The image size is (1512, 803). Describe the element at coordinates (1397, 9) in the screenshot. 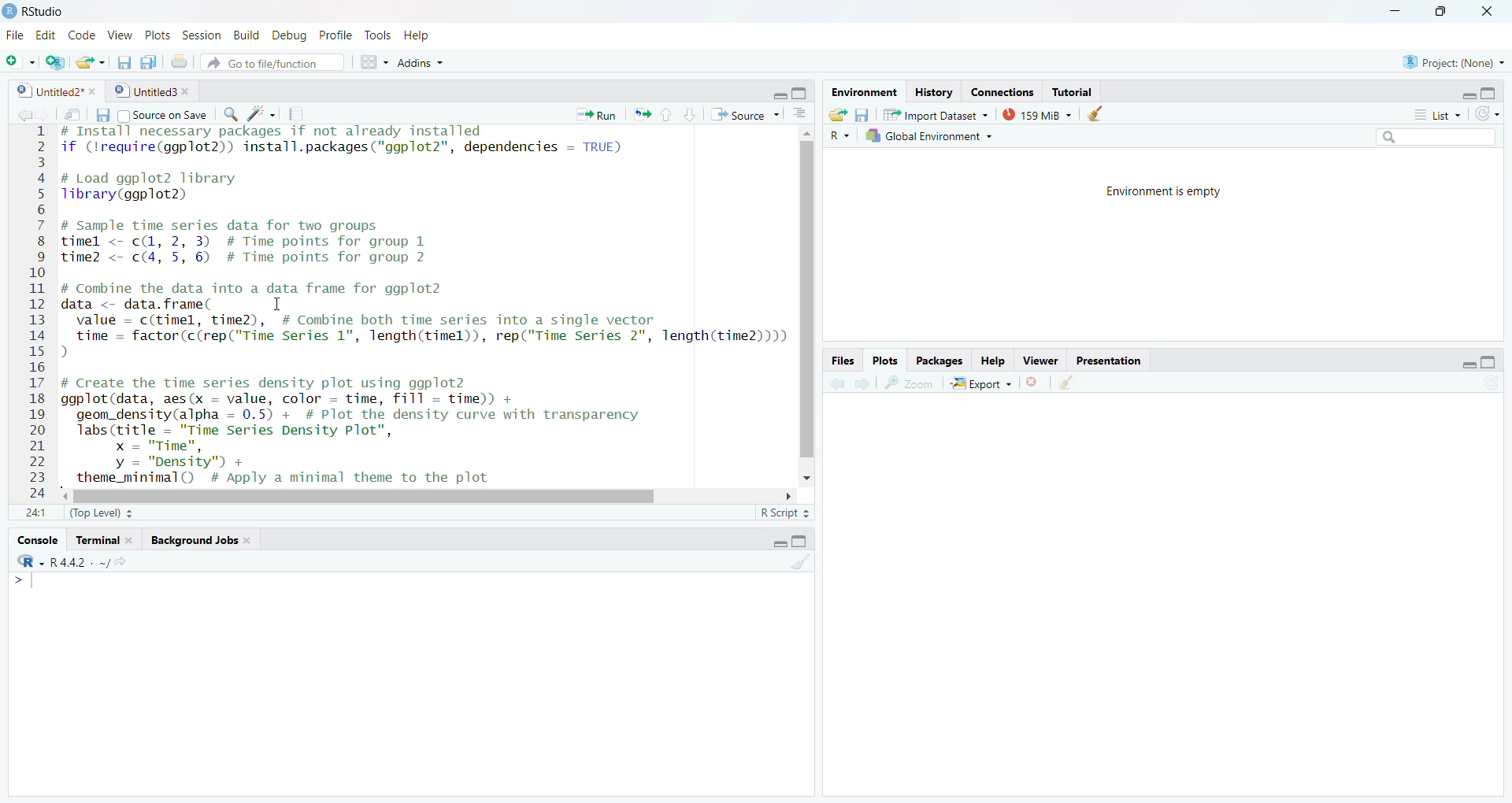

I see `Minimize` at that location.